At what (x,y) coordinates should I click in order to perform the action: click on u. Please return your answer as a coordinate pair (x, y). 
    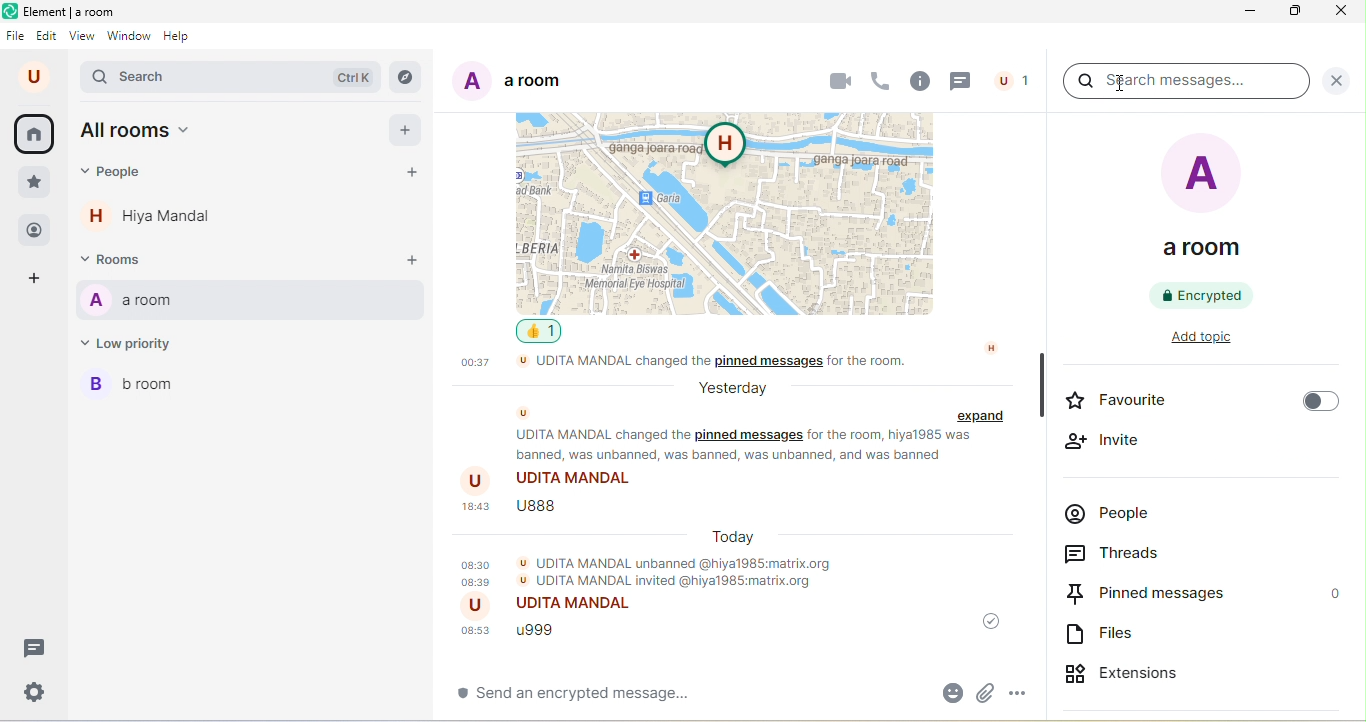
    Looking at the image, I should click on (525, 413).